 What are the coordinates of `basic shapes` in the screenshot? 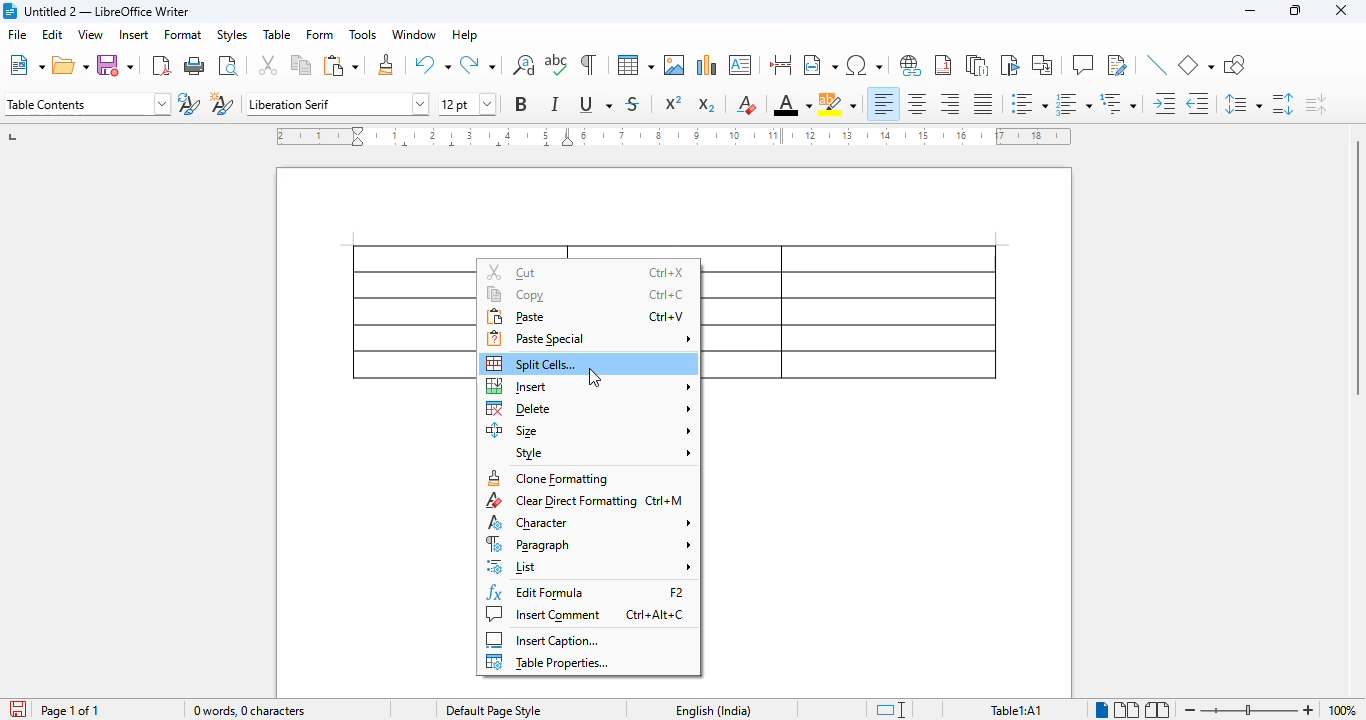 It's located at (1196, 65).